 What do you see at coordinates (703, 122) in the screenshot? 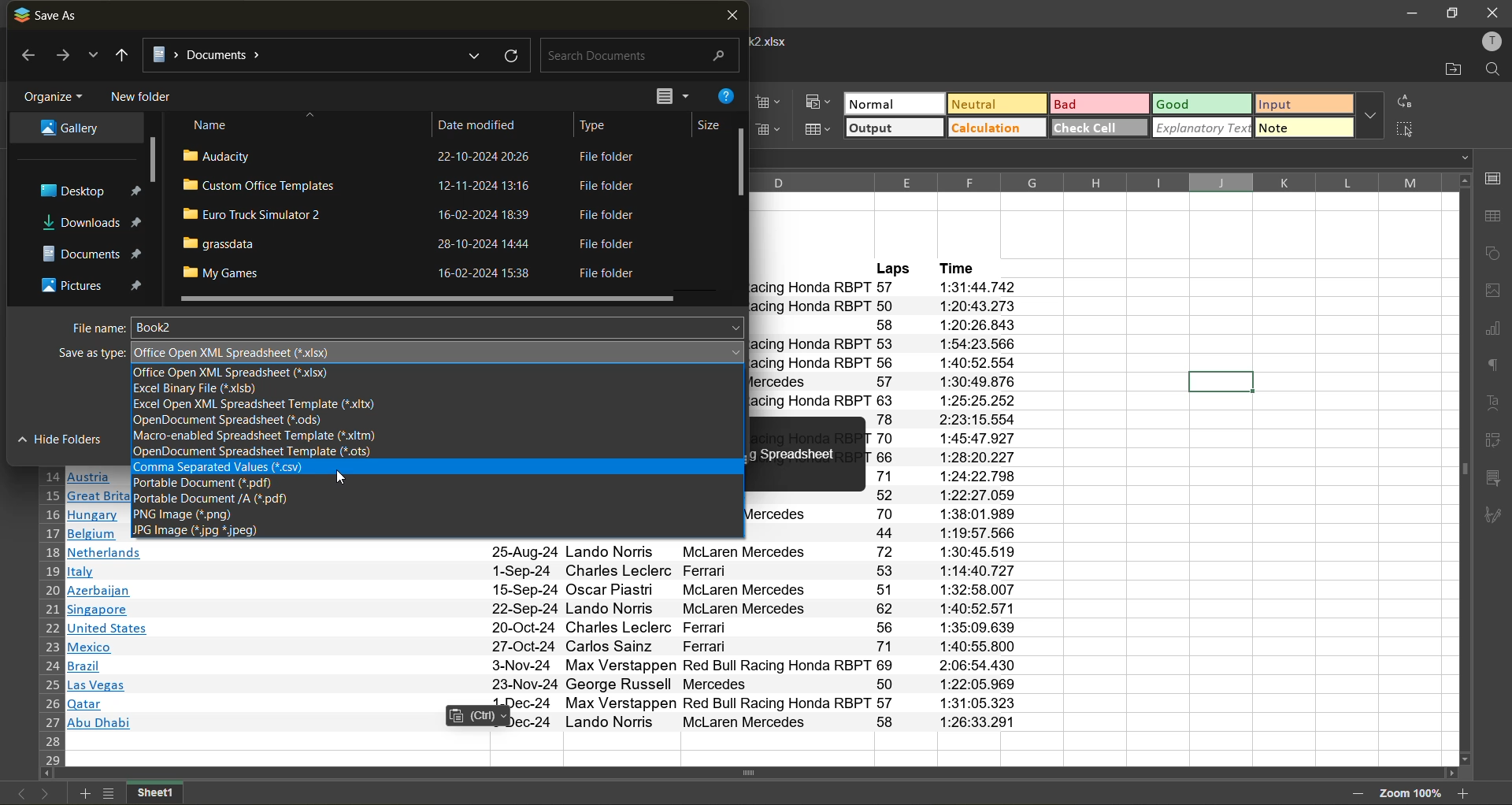
I see `size` at bounding box center [703, 122].